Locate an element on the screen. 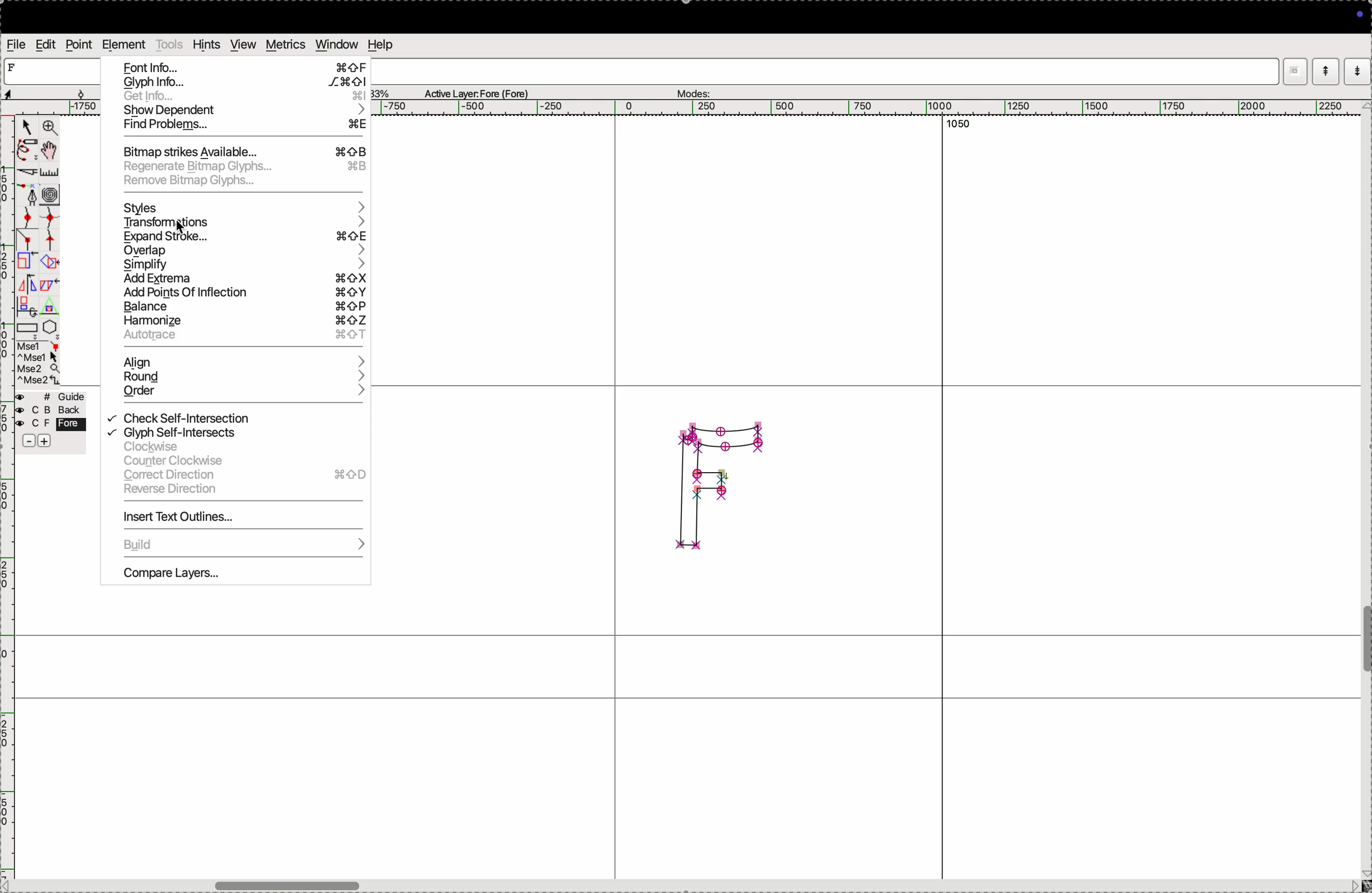 The height and width of the screenshot is (893, 1372). line is located at coordinates (29, 242).